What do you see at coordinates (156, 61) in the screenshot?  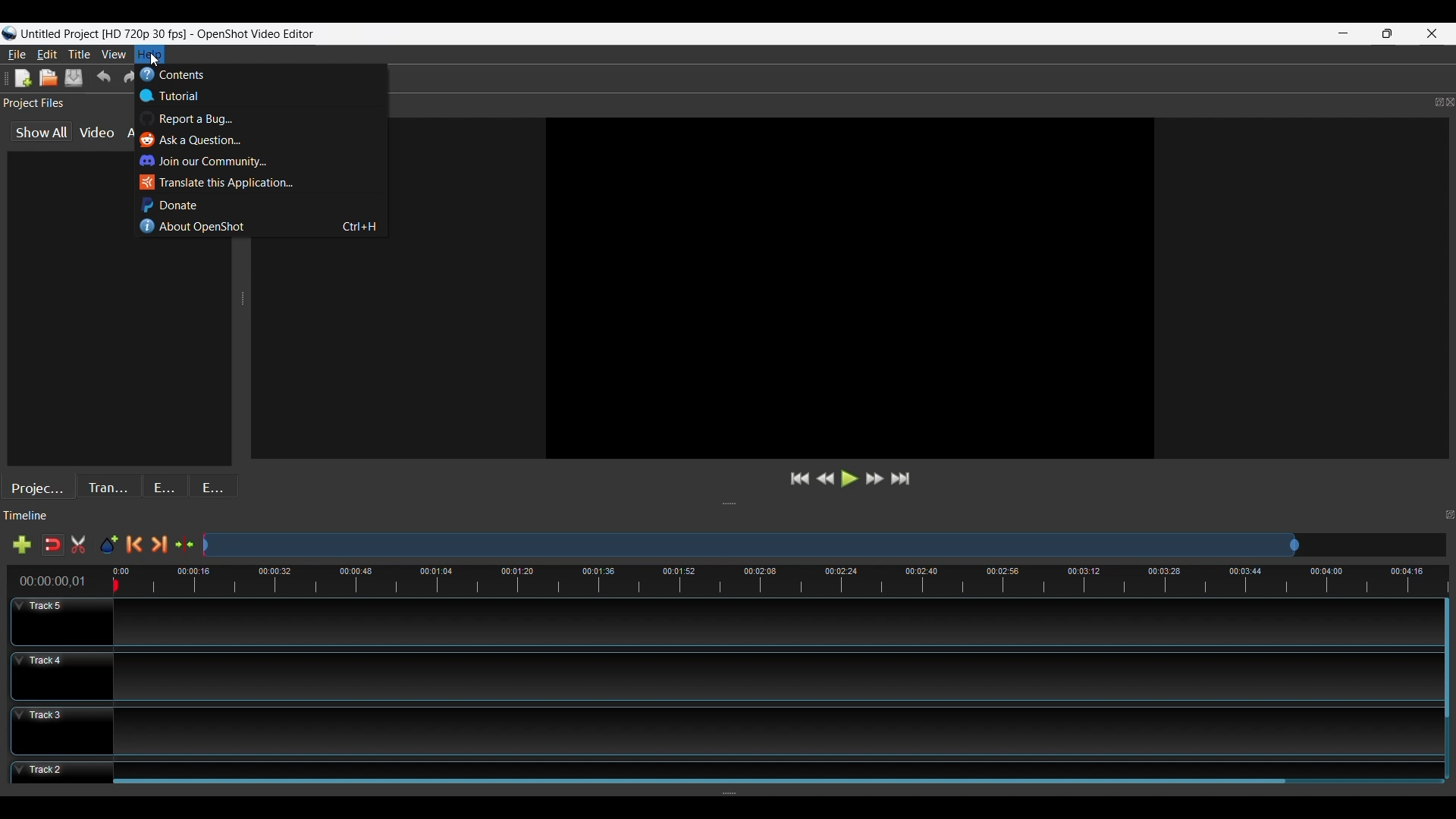 I see `Cursor` at bounding box center [156, 61].